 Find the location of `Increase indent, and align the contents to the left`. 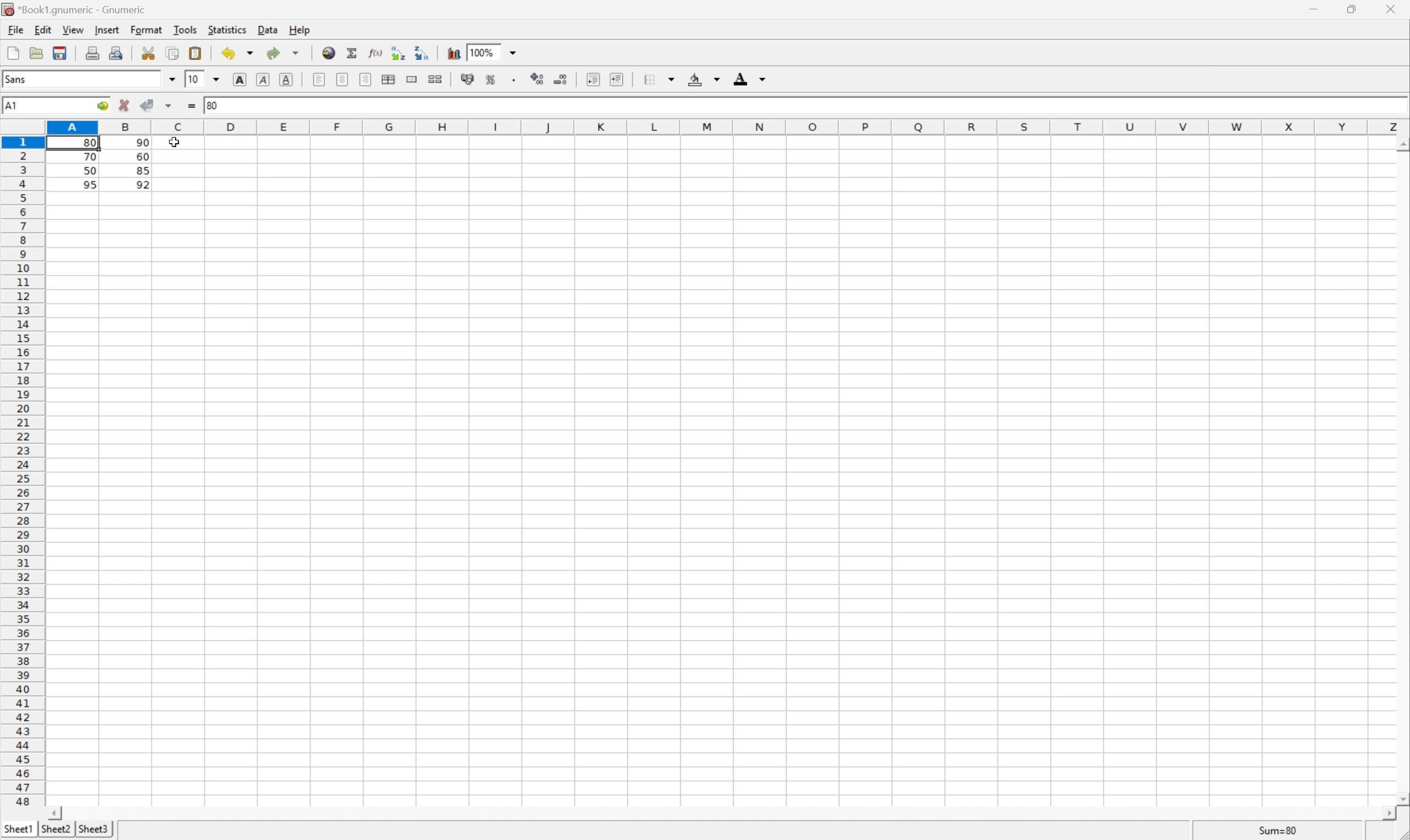

Increase indent, and align the contents to the left is located at coordinates (619, 78).